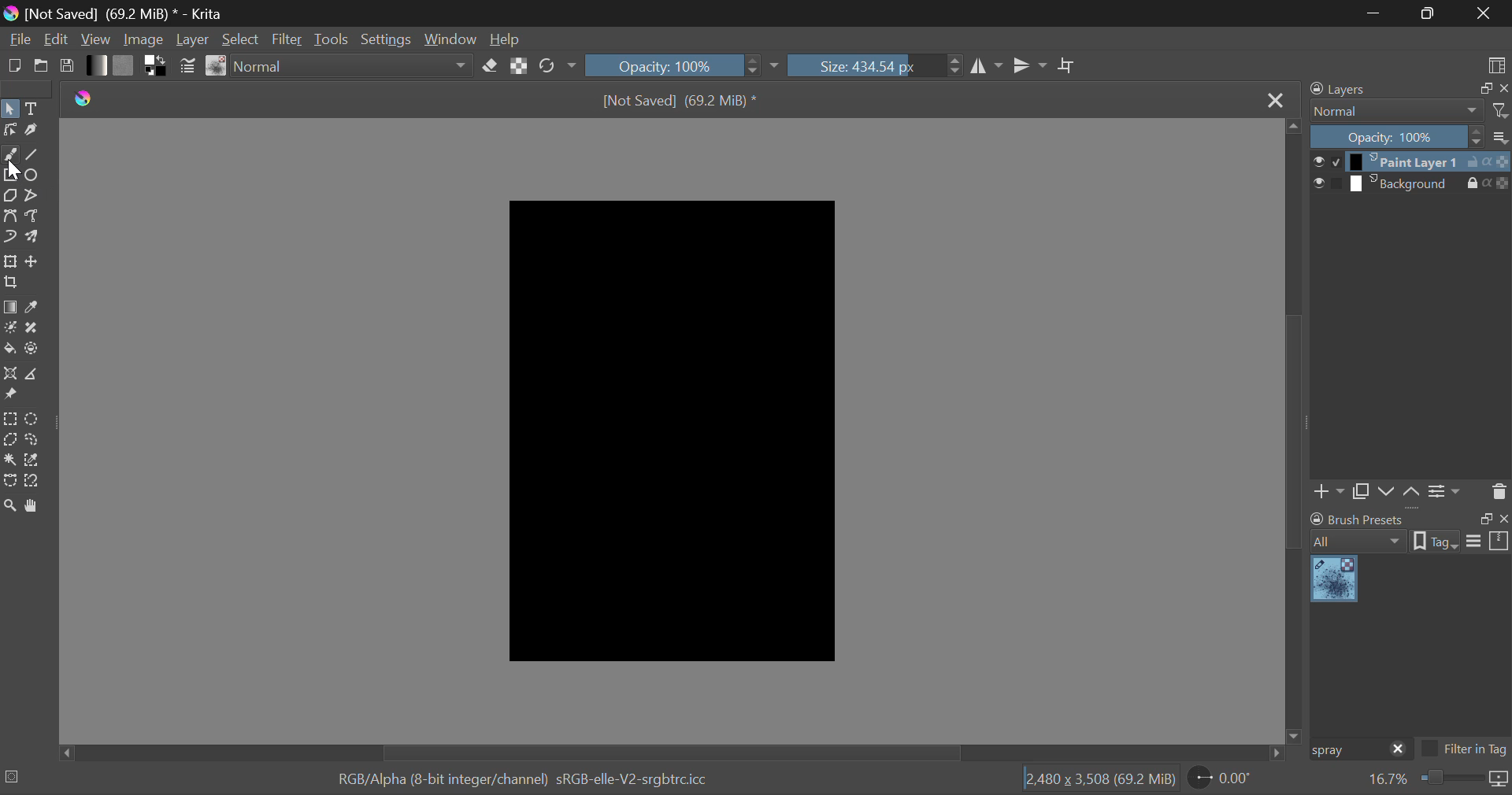 This screenshot has height=795, width=1512. What do you see at coordinates (1327, 184) in the screenshot?
I see `checkbox` at bounding box center [1327, 184].